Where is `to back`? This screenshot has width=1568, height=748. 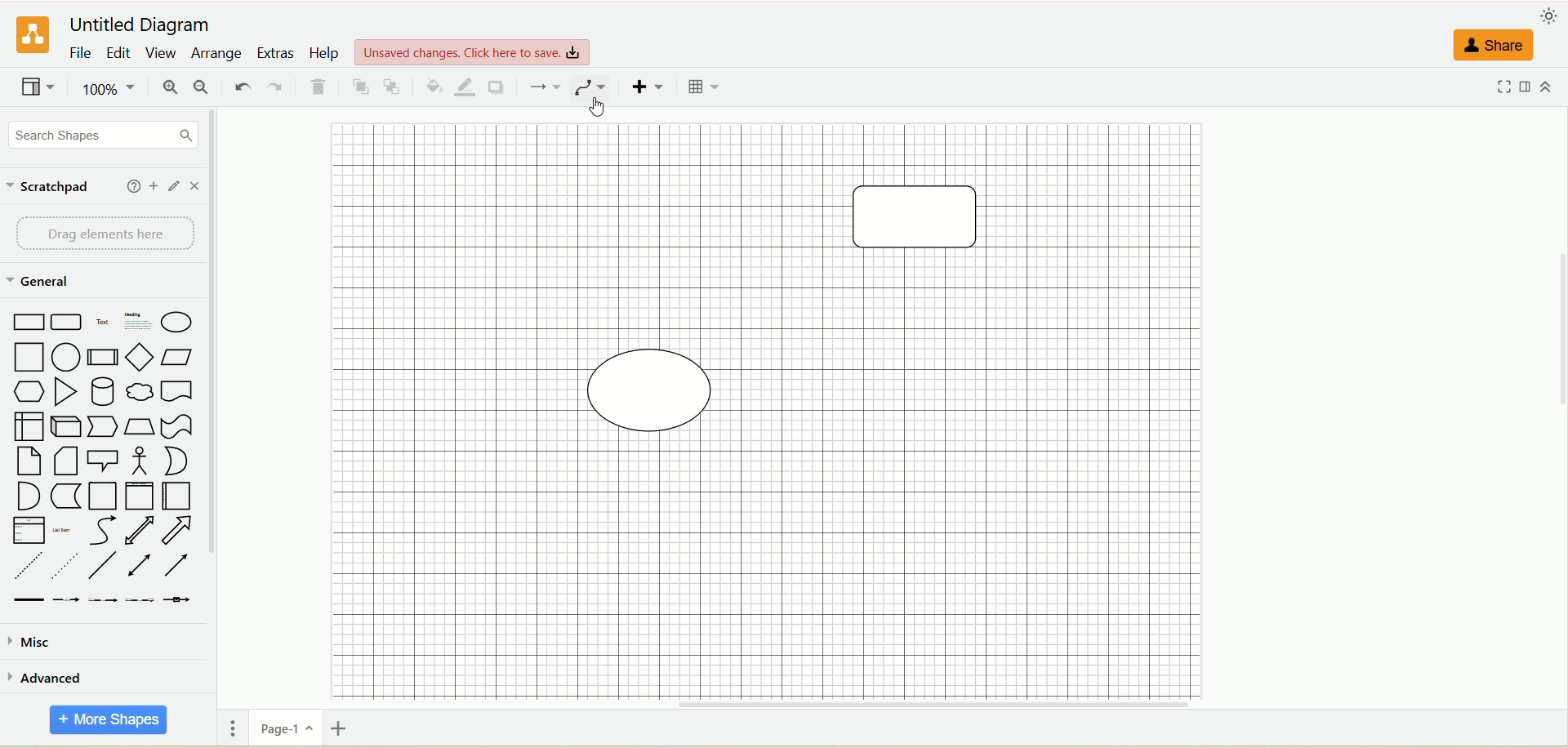 to back is located at coordinates (396, 87).